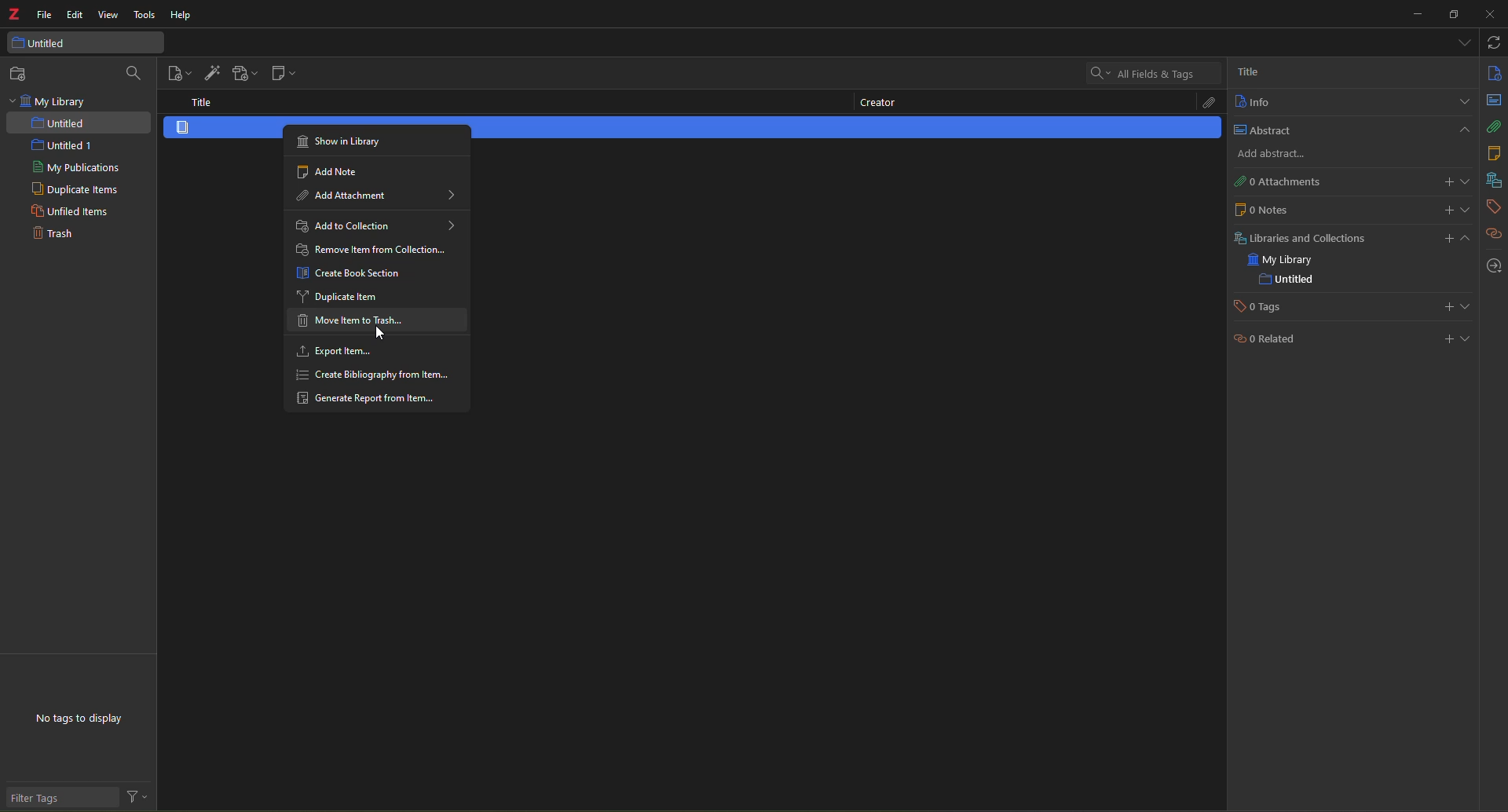 The width and height of the screenshot is (1508, 812). Describe the element at coordinates (1492, 153) in the screenshot. I see `notes` at that location.